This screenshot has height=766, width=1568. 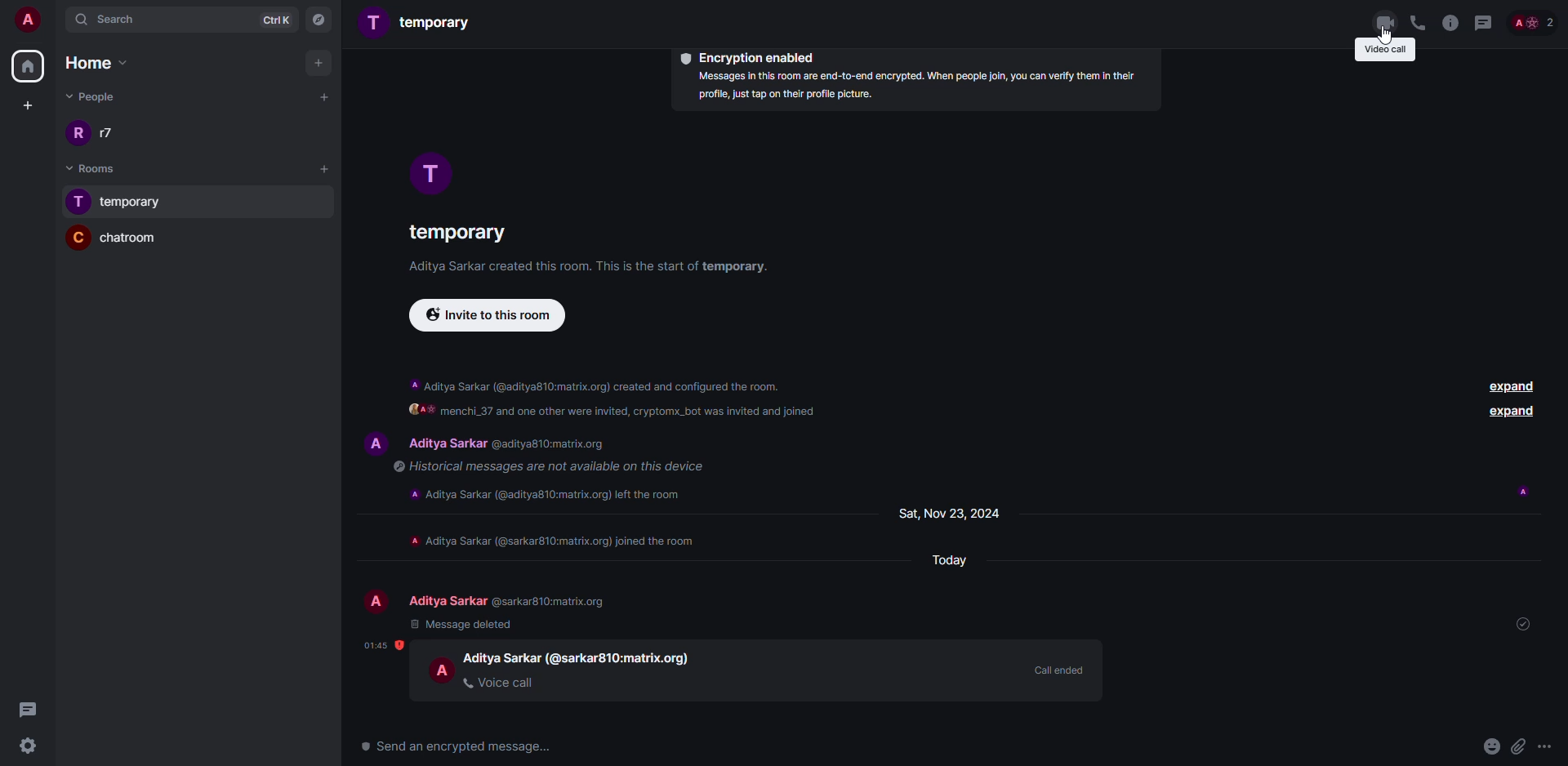 I want to click on home, so click(x=91, y=62).